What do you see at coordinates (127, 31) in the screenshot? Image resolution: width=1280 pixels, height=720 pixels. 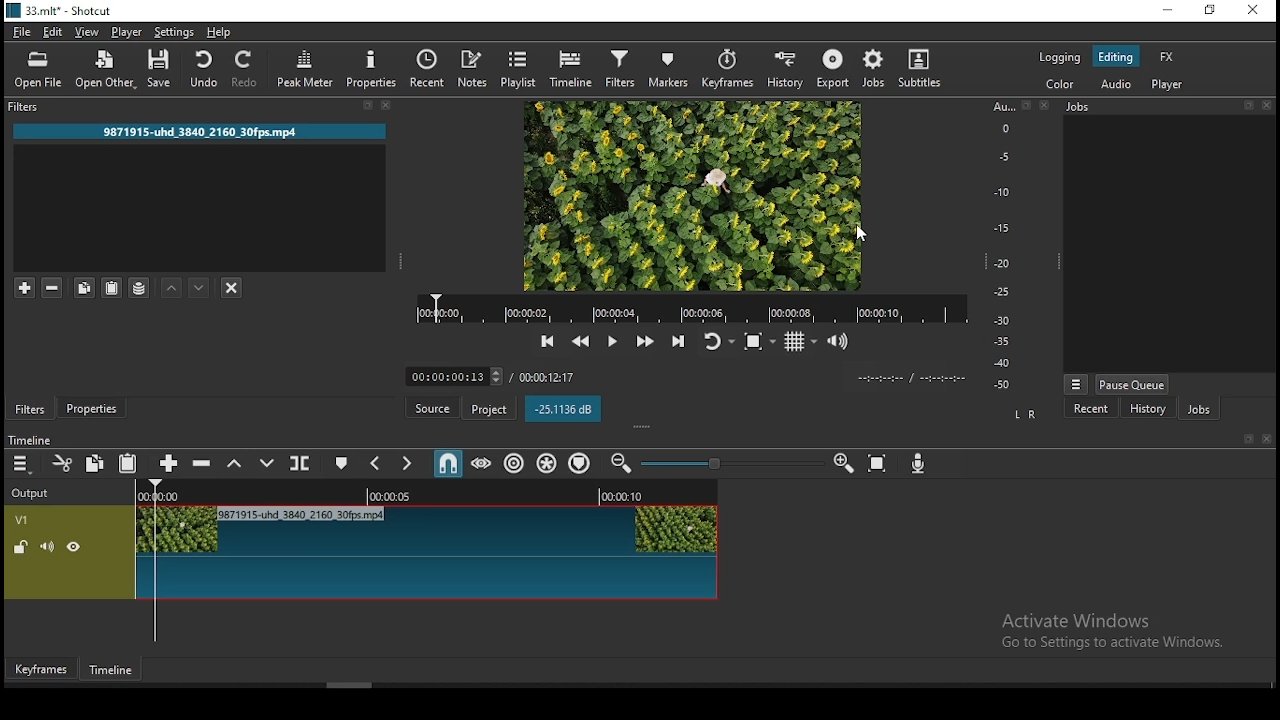 I see `player` at bounding box center [127, 31].